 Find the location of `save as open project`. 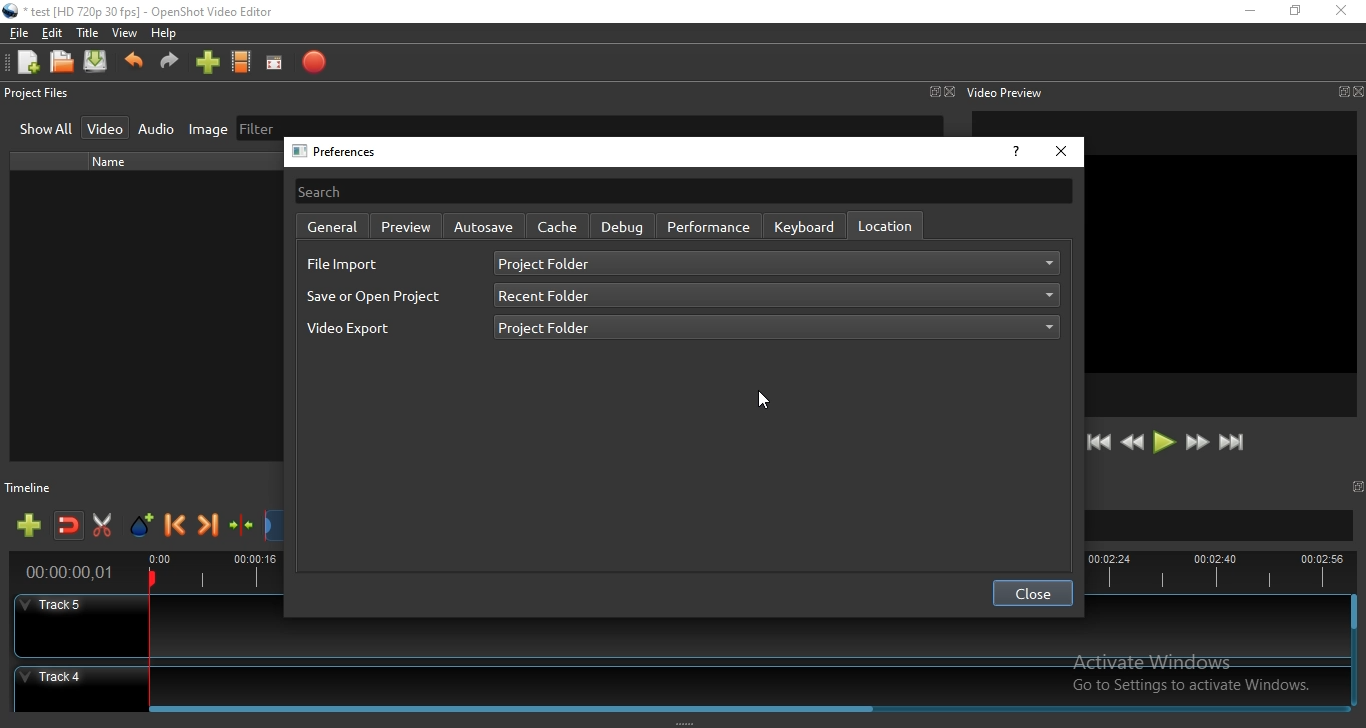

save as open project is located at coordinates (374, 296).